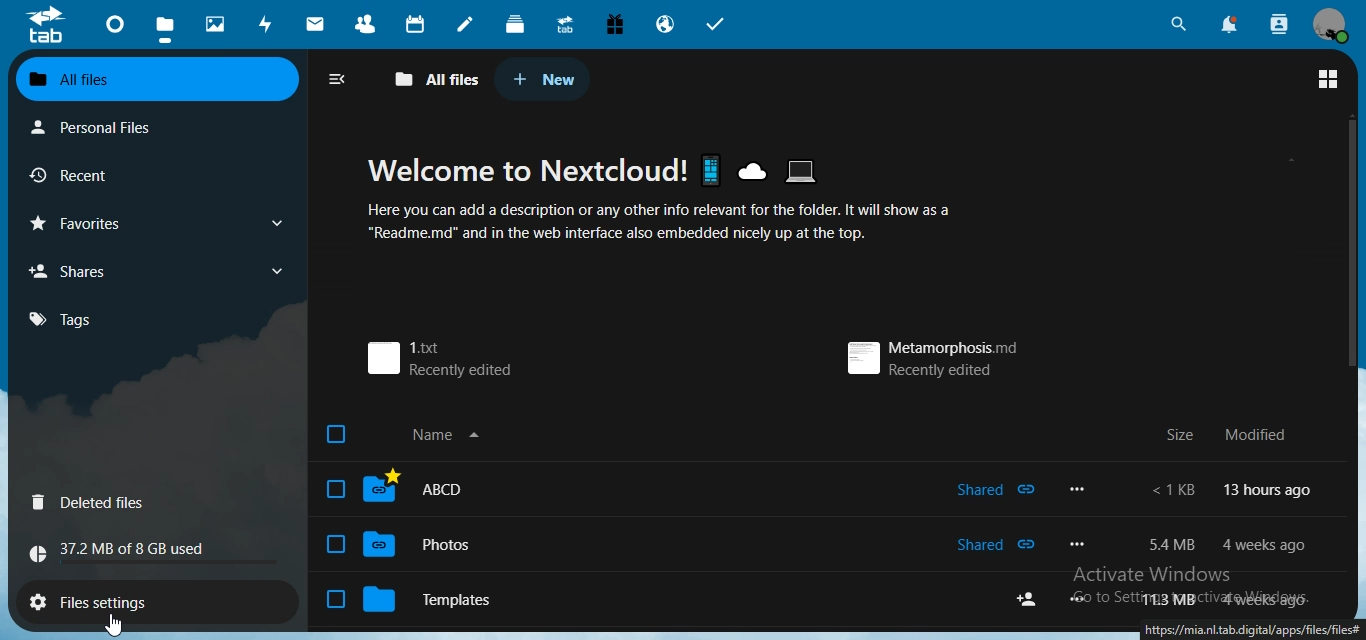 The height and width of the screenshot is (640, 1366). Describe the element at coordinates (1076, 597) in the screenshot. I see `more options` at that location.